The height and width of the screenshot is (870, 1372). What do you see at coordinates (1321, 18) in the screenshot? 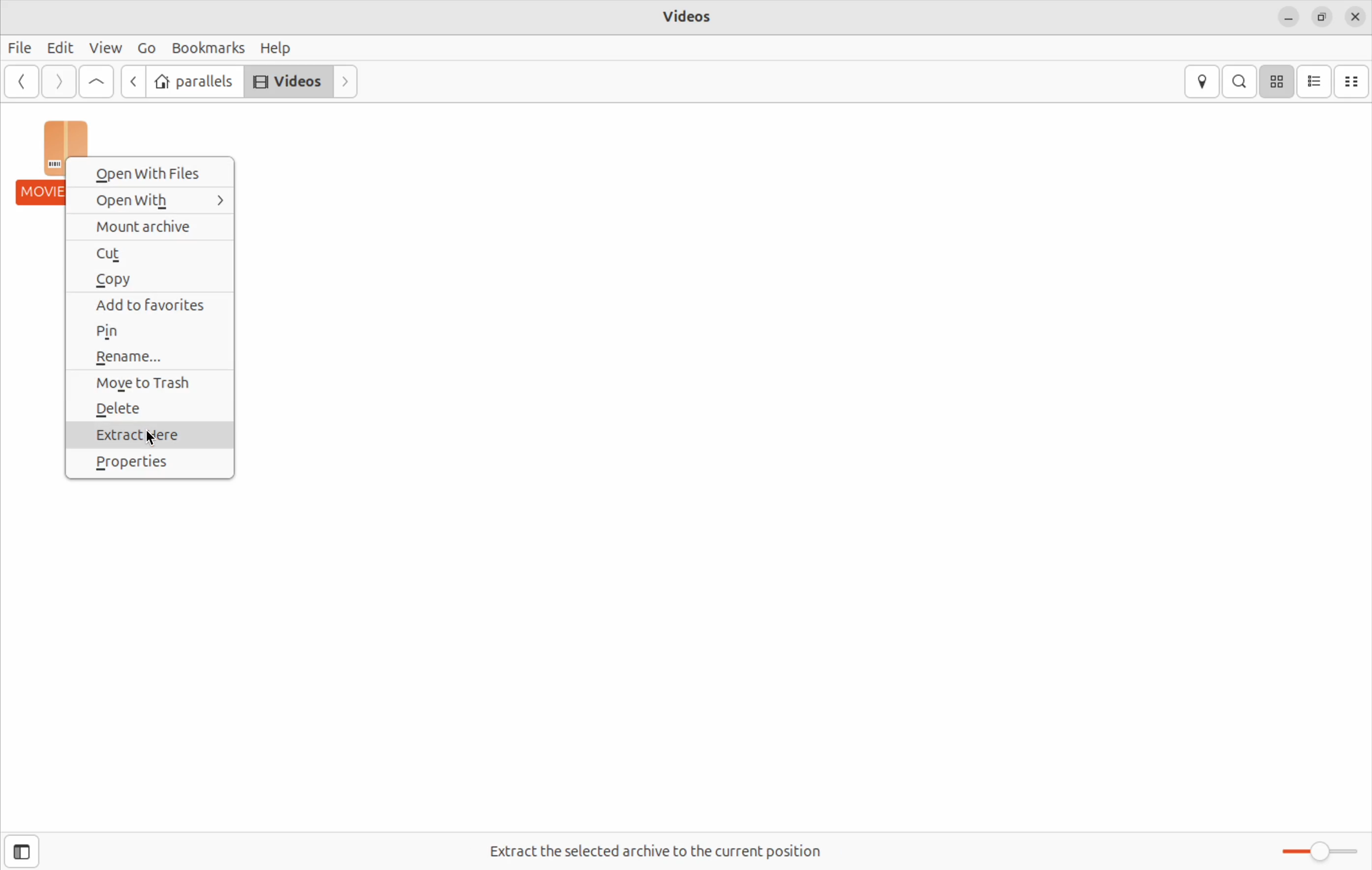
I see `resize` at bounding box center [1321, 18].